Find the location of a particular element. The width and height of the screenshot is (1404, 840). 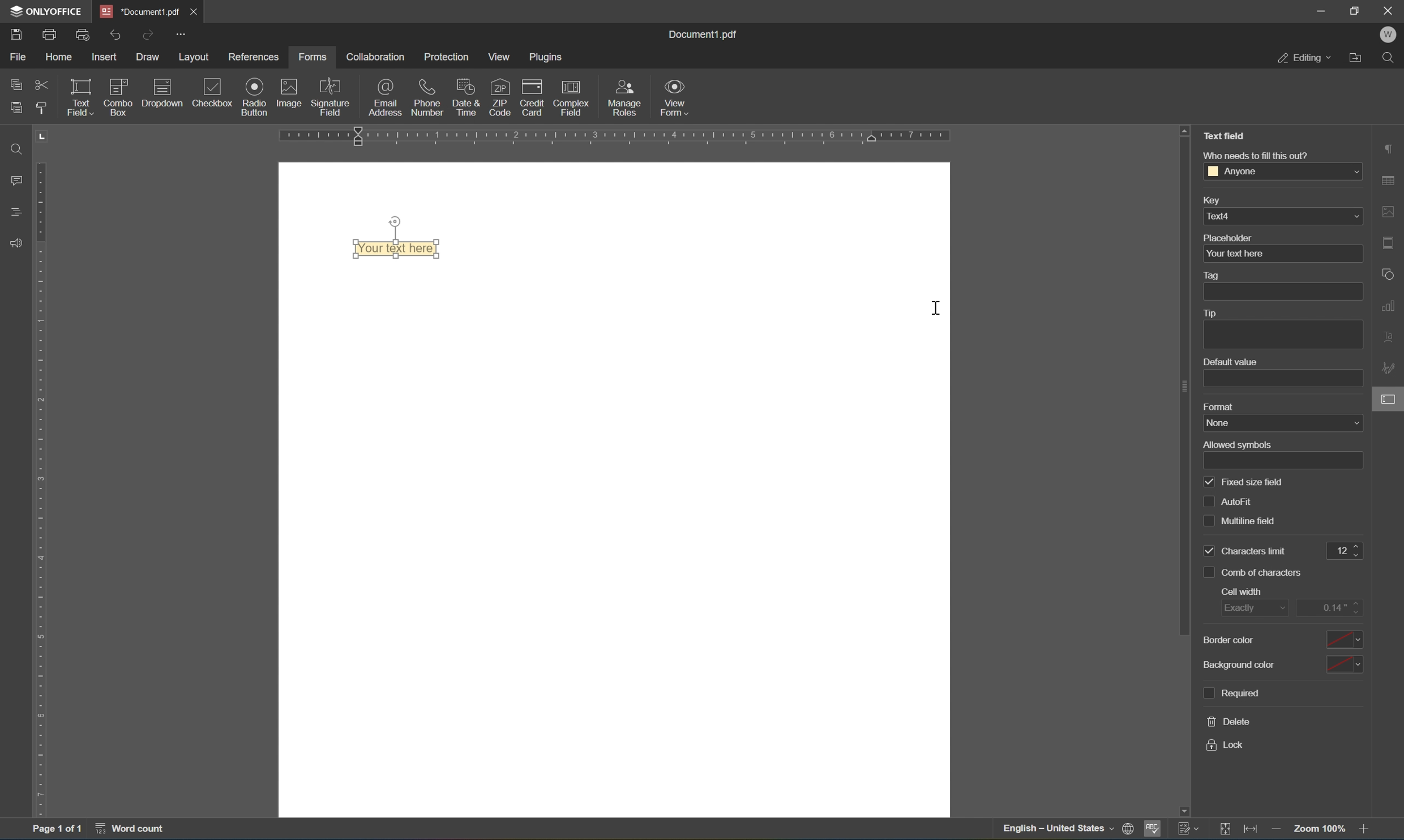

your text here is located at coordinates (1282, 254).